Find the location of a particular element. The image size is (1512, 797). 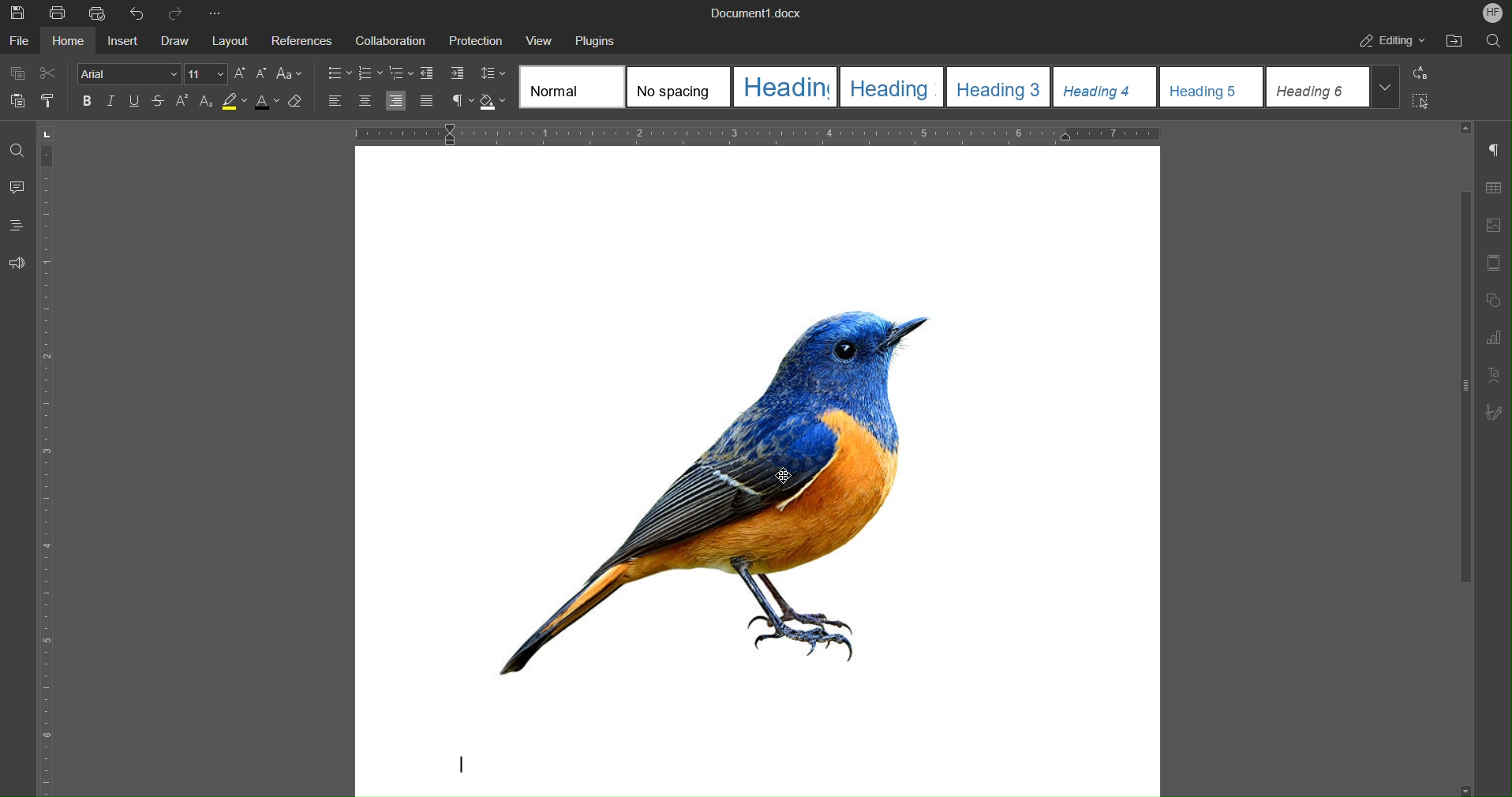

Shape Settings is located at coordinates (1494, 301).